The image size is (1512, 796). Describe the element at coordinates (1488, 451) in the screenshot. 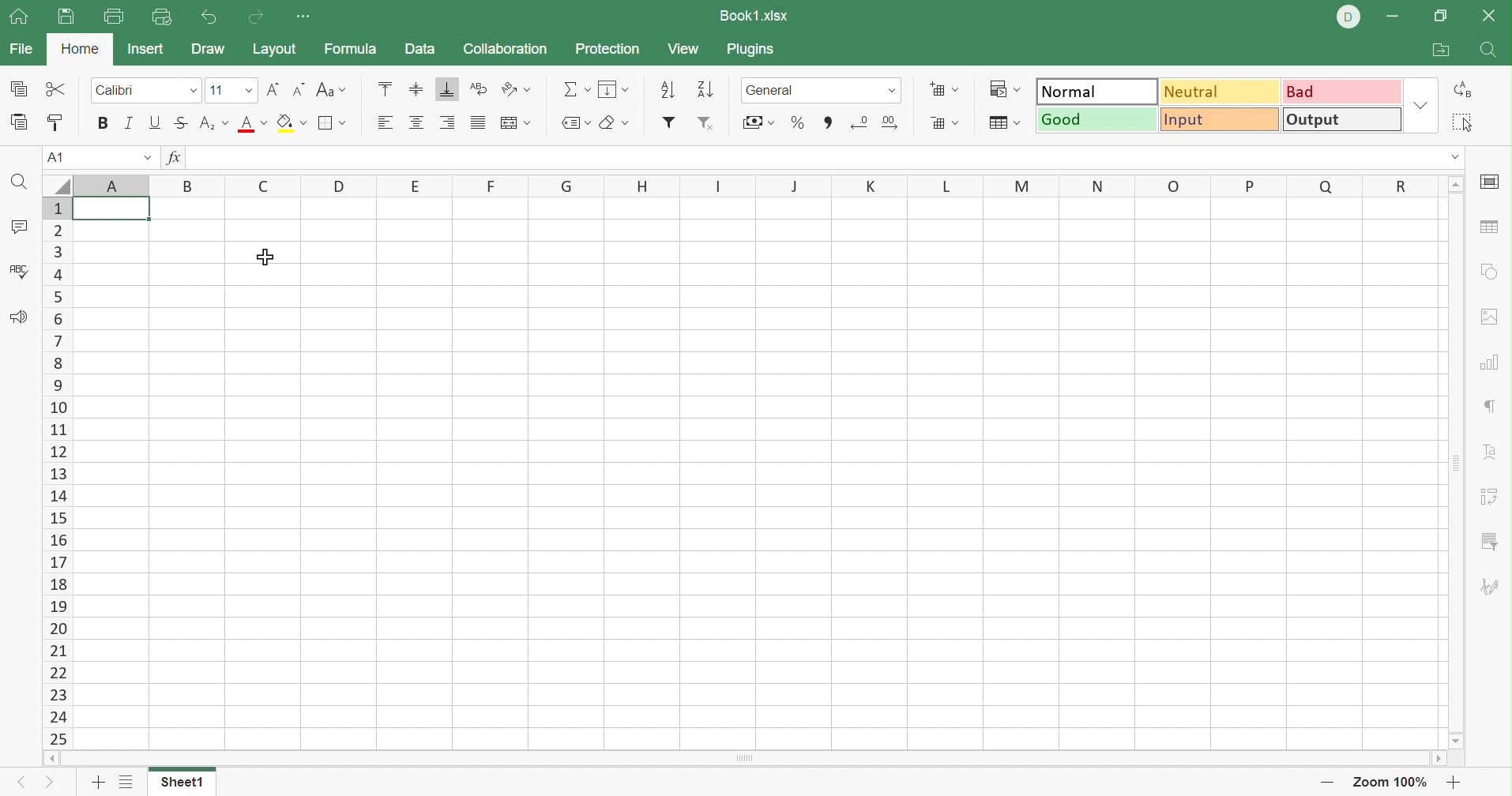

I see `Text art settings` at that location.